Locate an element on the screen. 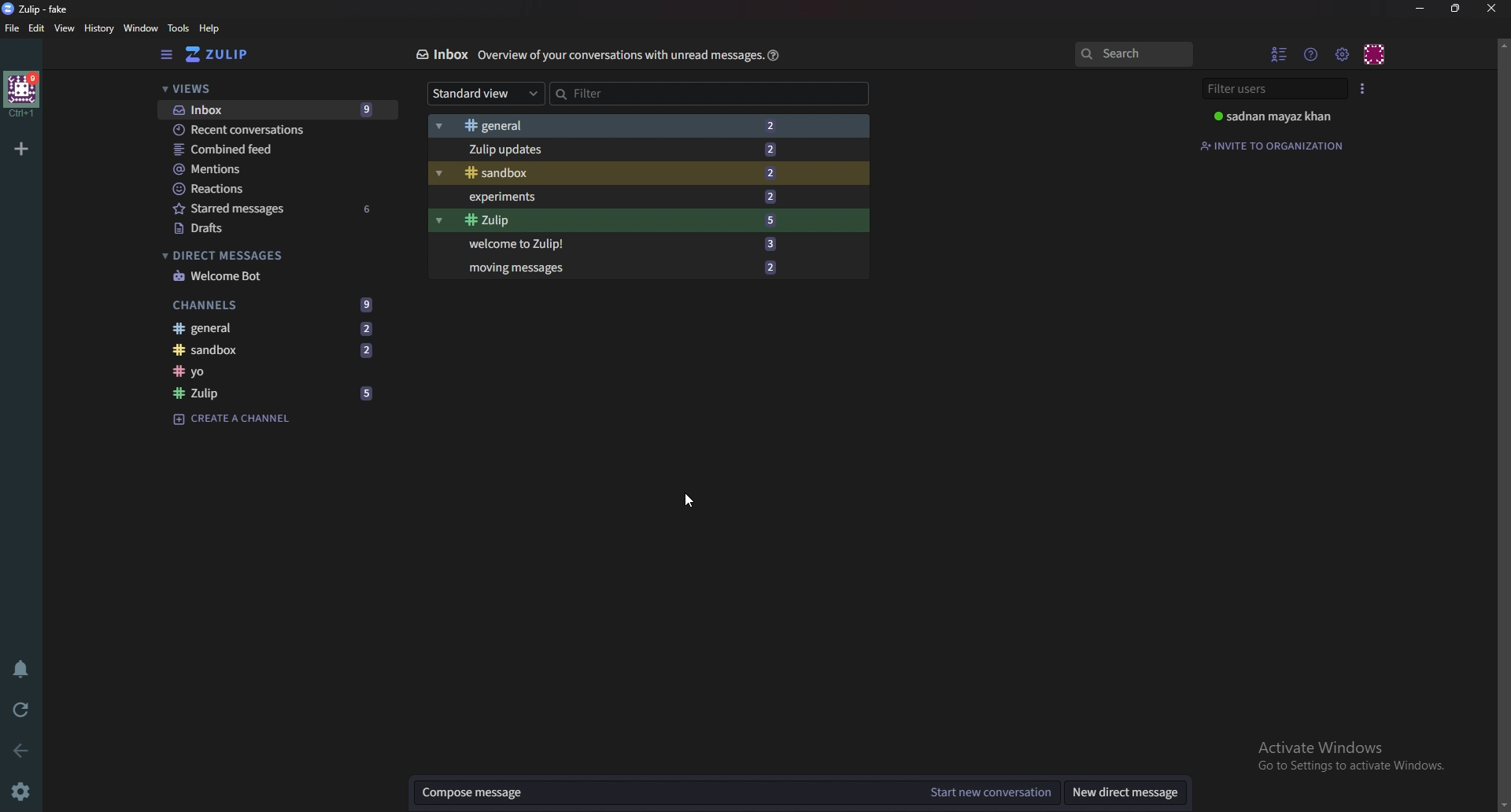 The image size is (1511, 812). Recent conversations is located at coordinates (272, 131).